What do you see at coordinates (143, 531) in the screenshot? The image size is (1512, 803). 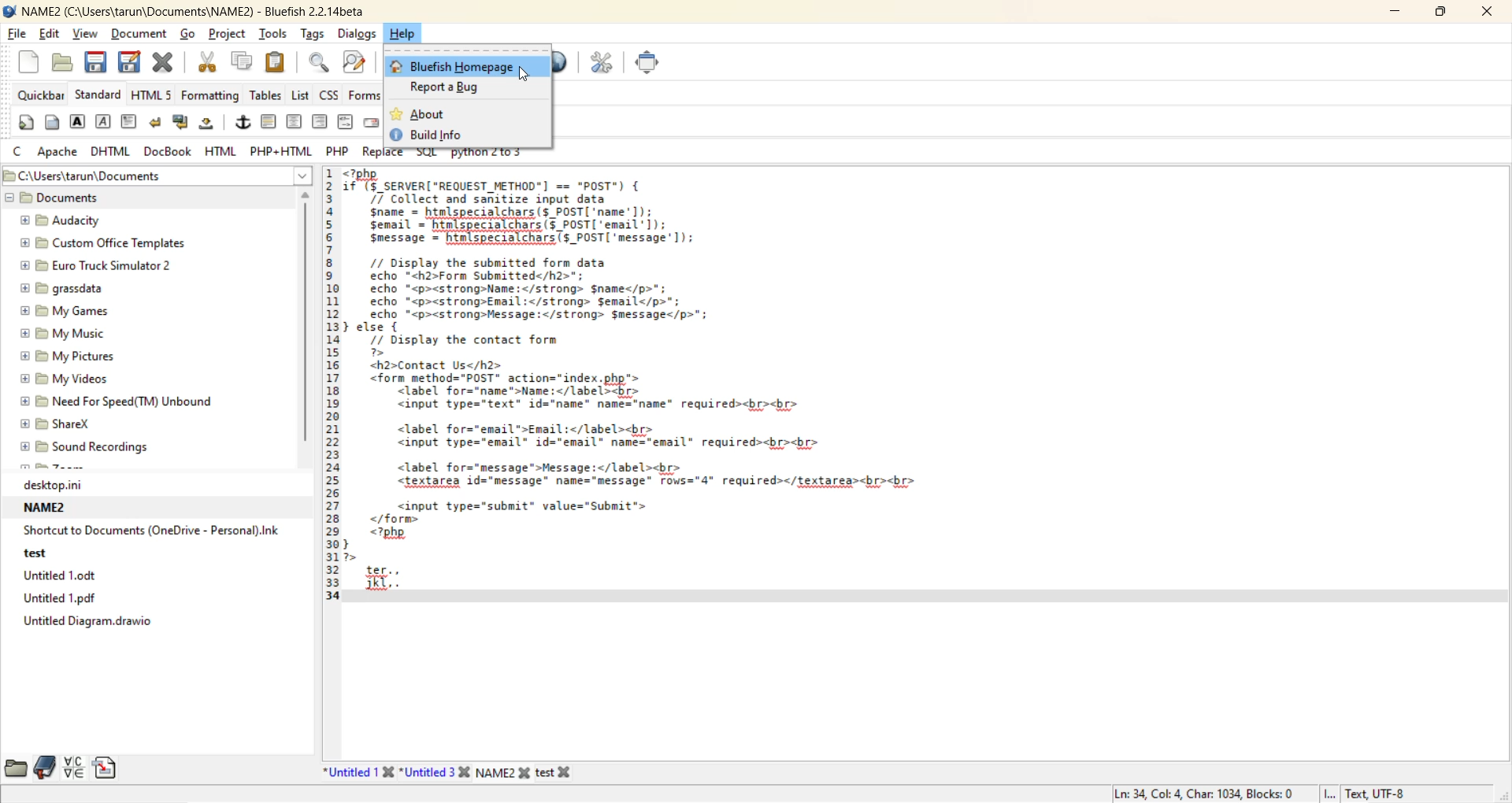 I see `Shortcut to Documents (OneDrive - Personal).Ink` at bounding box center [143, 531].